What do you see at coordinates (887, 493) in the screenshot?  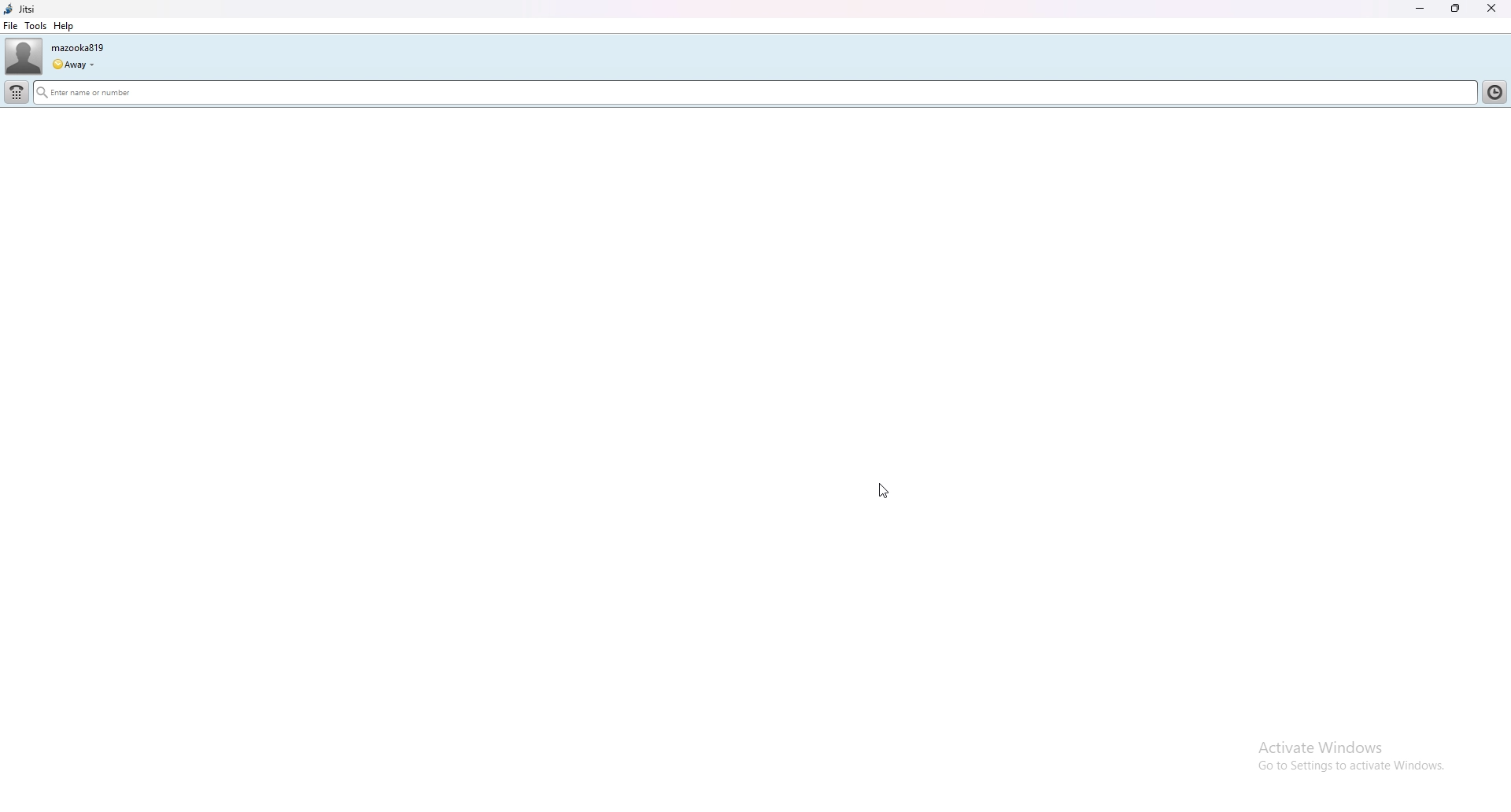 I see `cursor` at bounding box center [887, 493].